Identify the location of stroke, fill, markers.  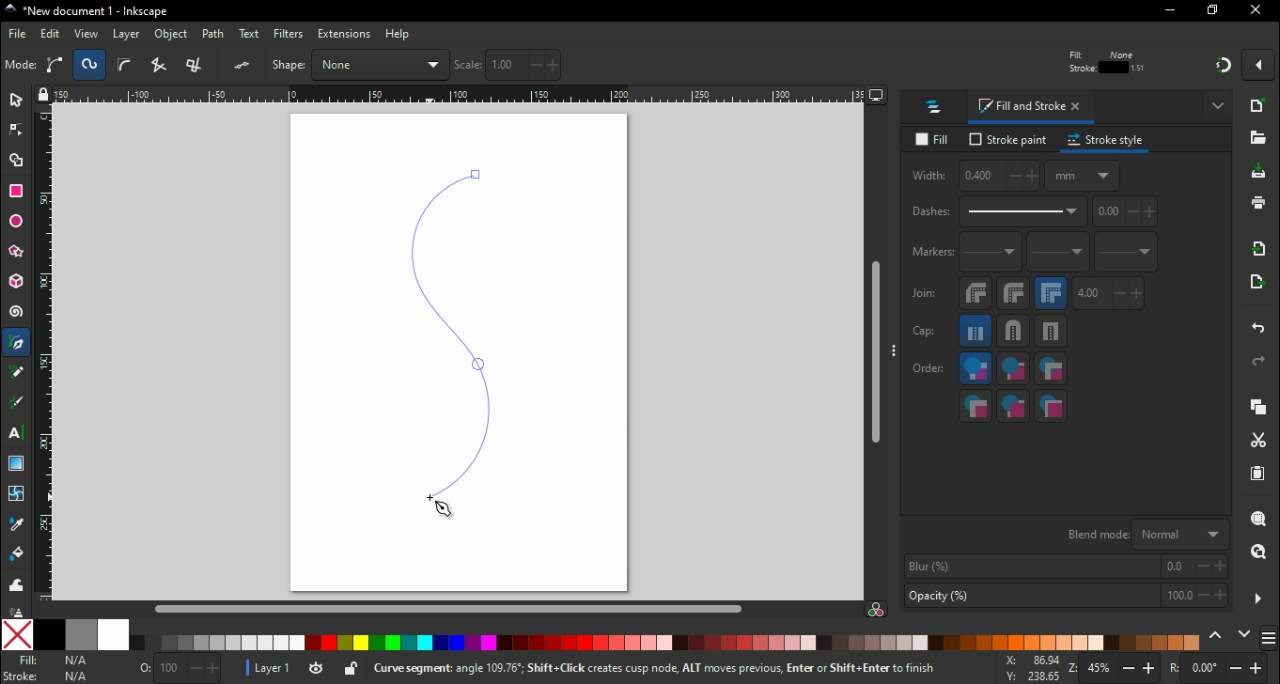
(1012, 372).